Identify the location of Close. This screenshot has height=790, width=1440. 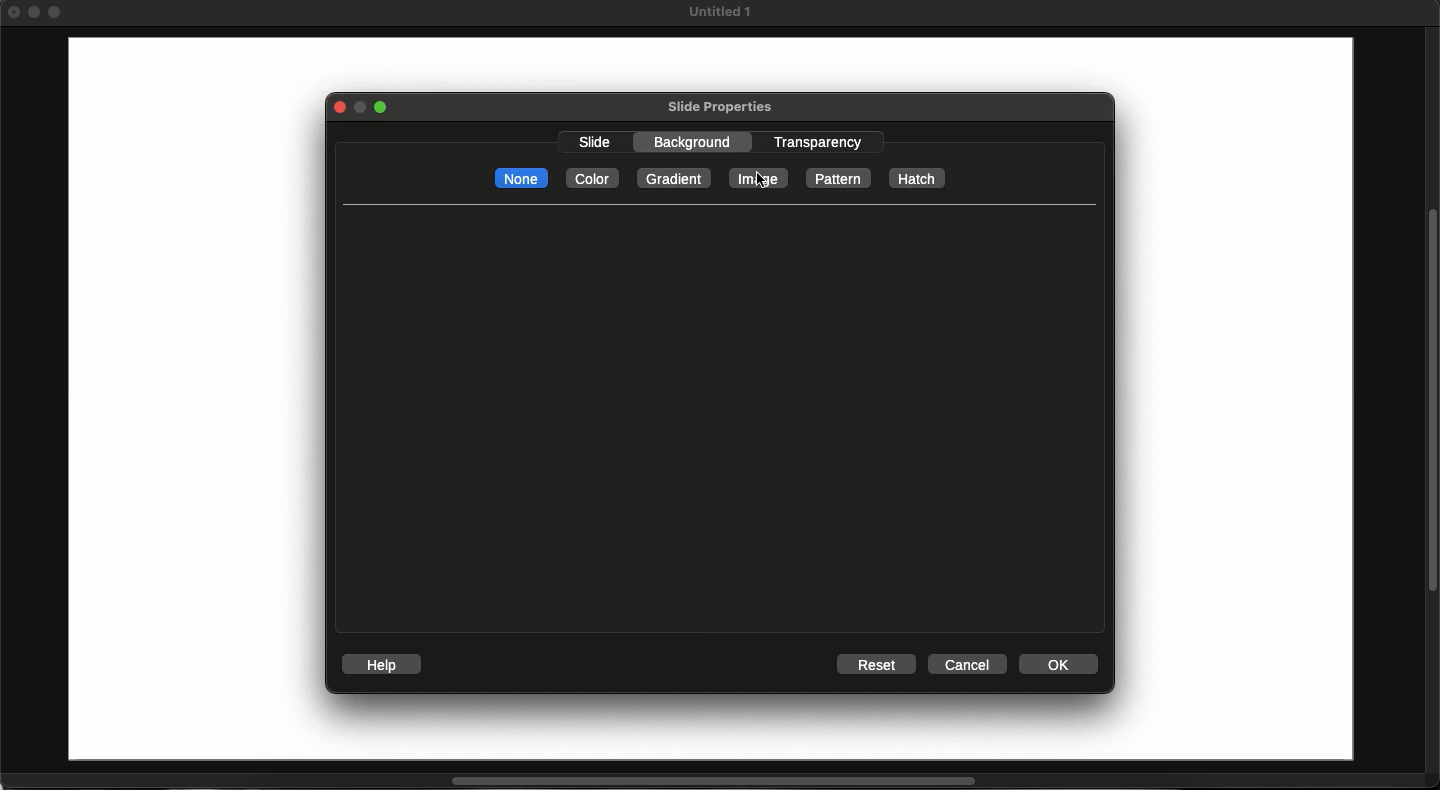
(14, 11).